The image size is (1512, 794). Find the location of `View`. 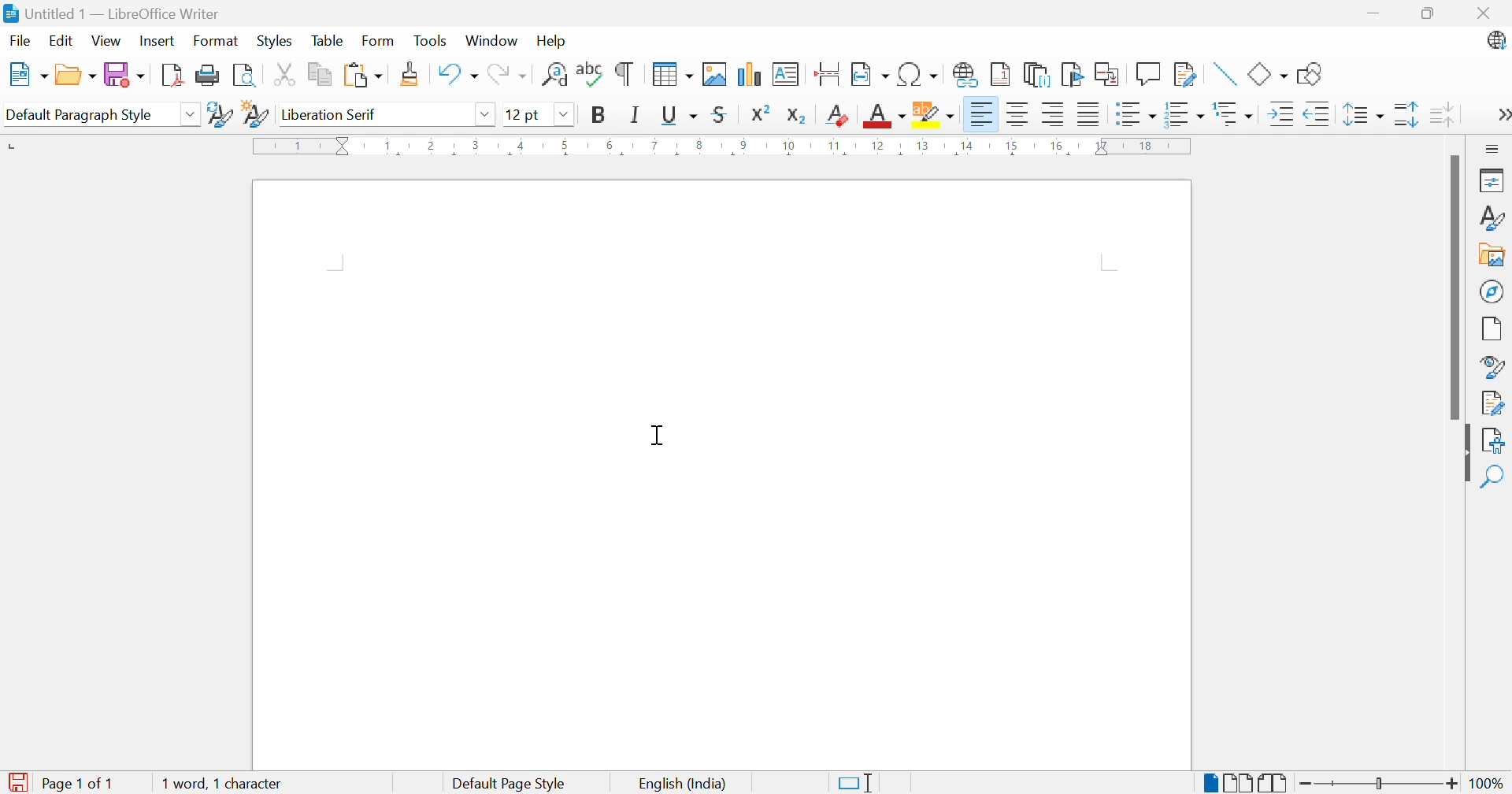

View is located at coordinates (108, 40).